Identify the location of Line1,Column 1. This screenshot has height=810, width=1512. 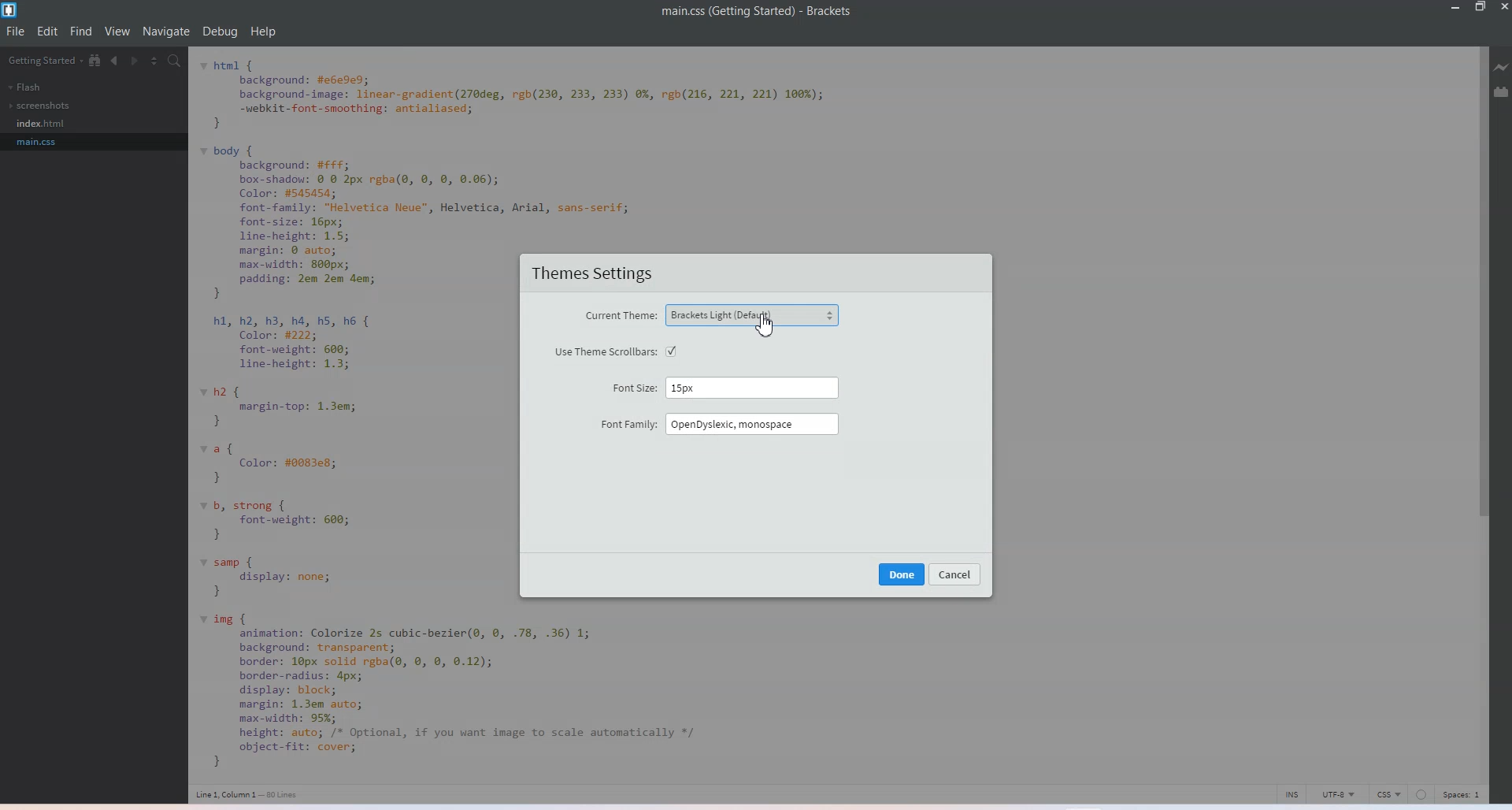
(246, 795).